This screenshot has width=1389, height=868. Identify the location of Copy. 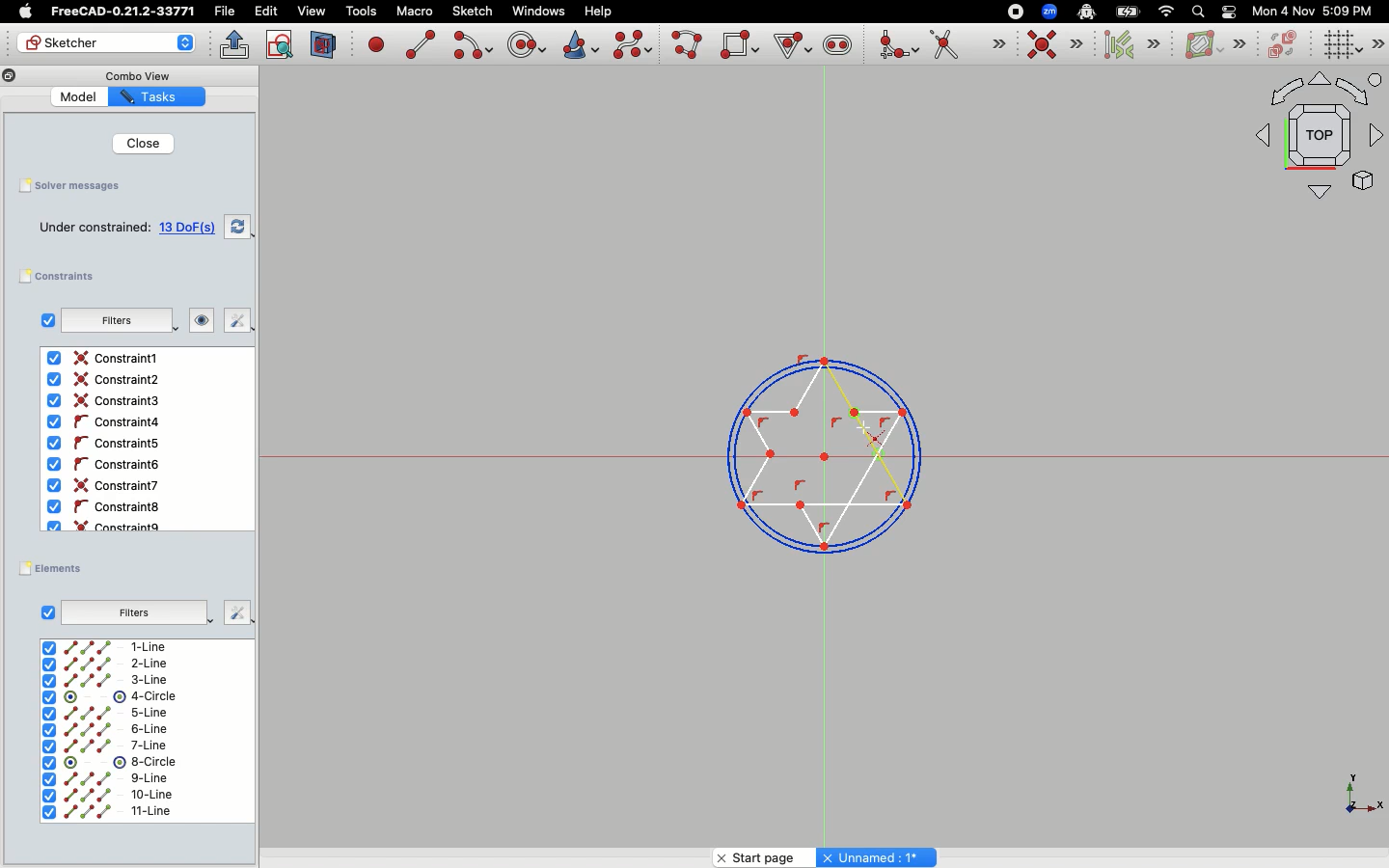
(10, 78).